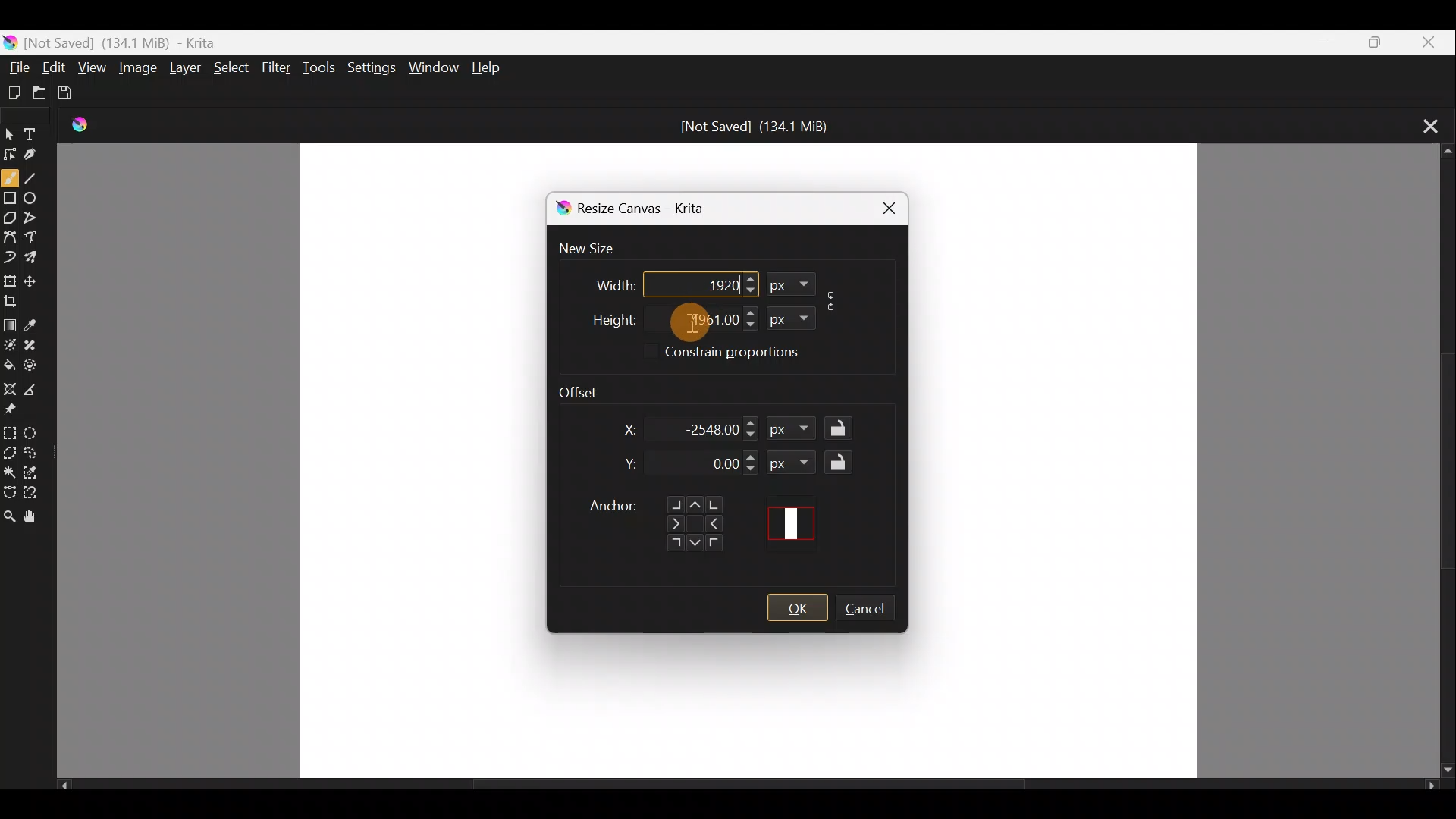 This screenshot has width=1456, height=819. I want to click on Select, so click(232, 67).